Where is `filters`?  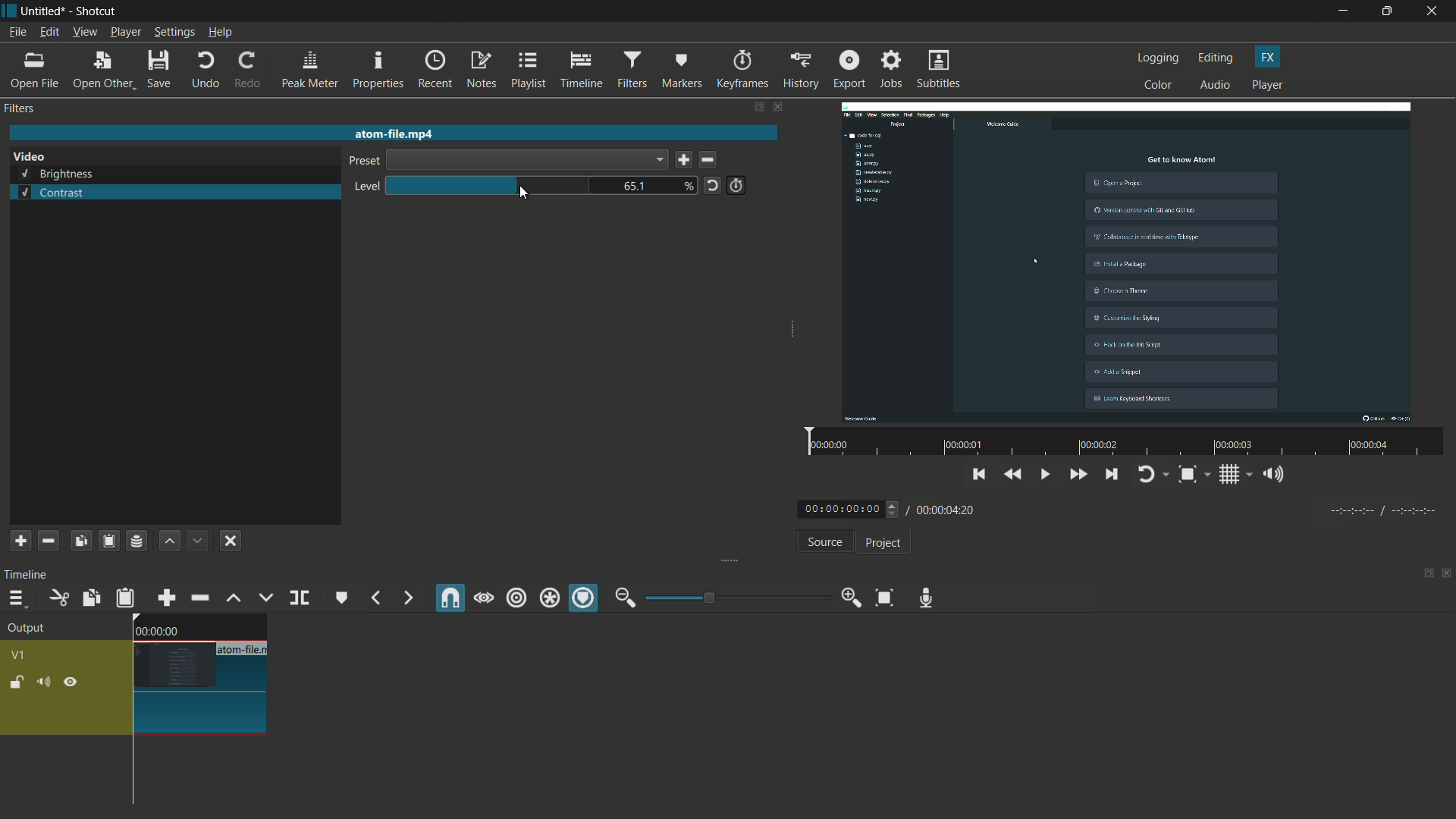 filters is located at coordinates (21, 108).